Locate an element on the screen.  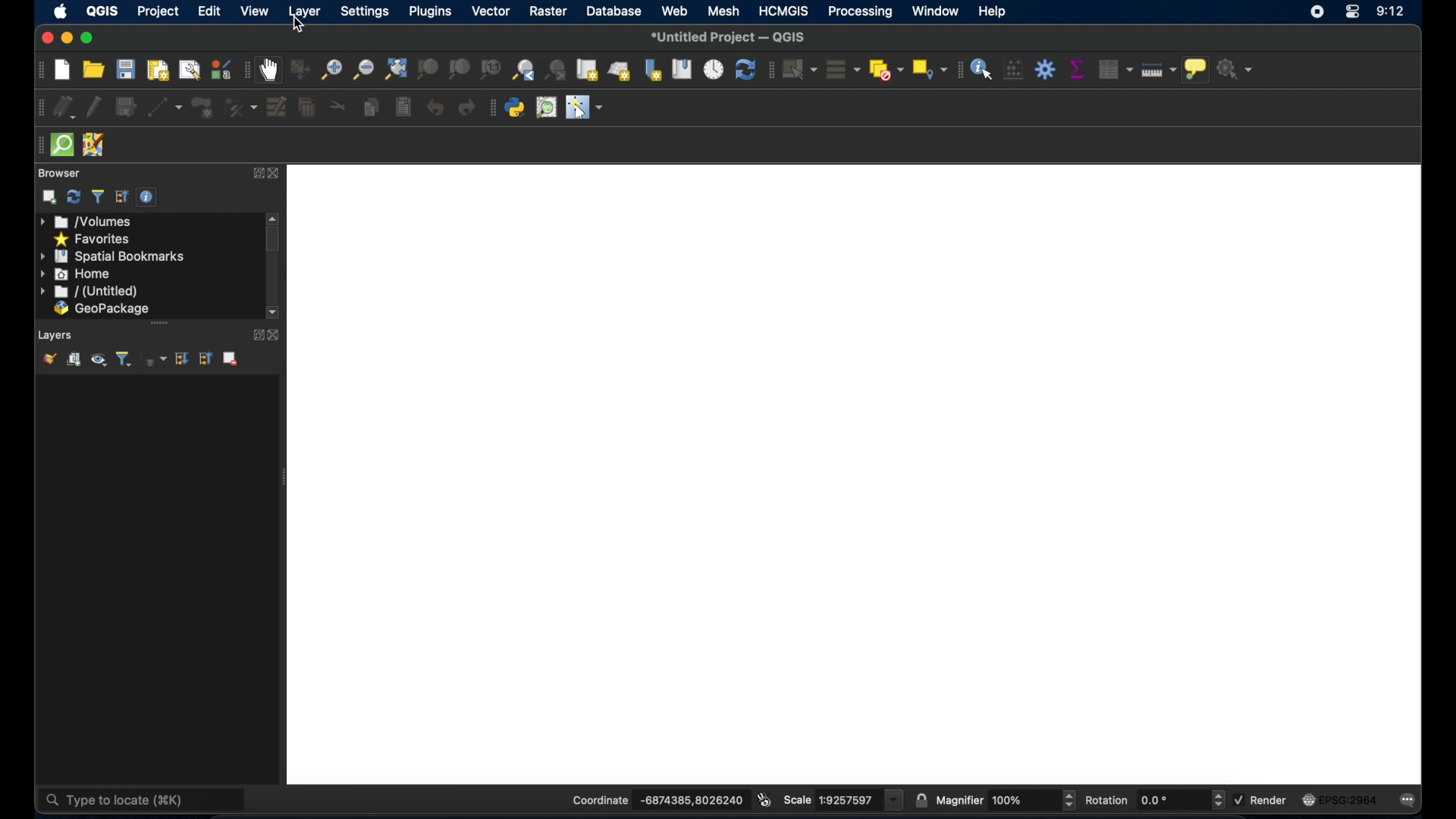
minimize is located at coordinates (67, 39).